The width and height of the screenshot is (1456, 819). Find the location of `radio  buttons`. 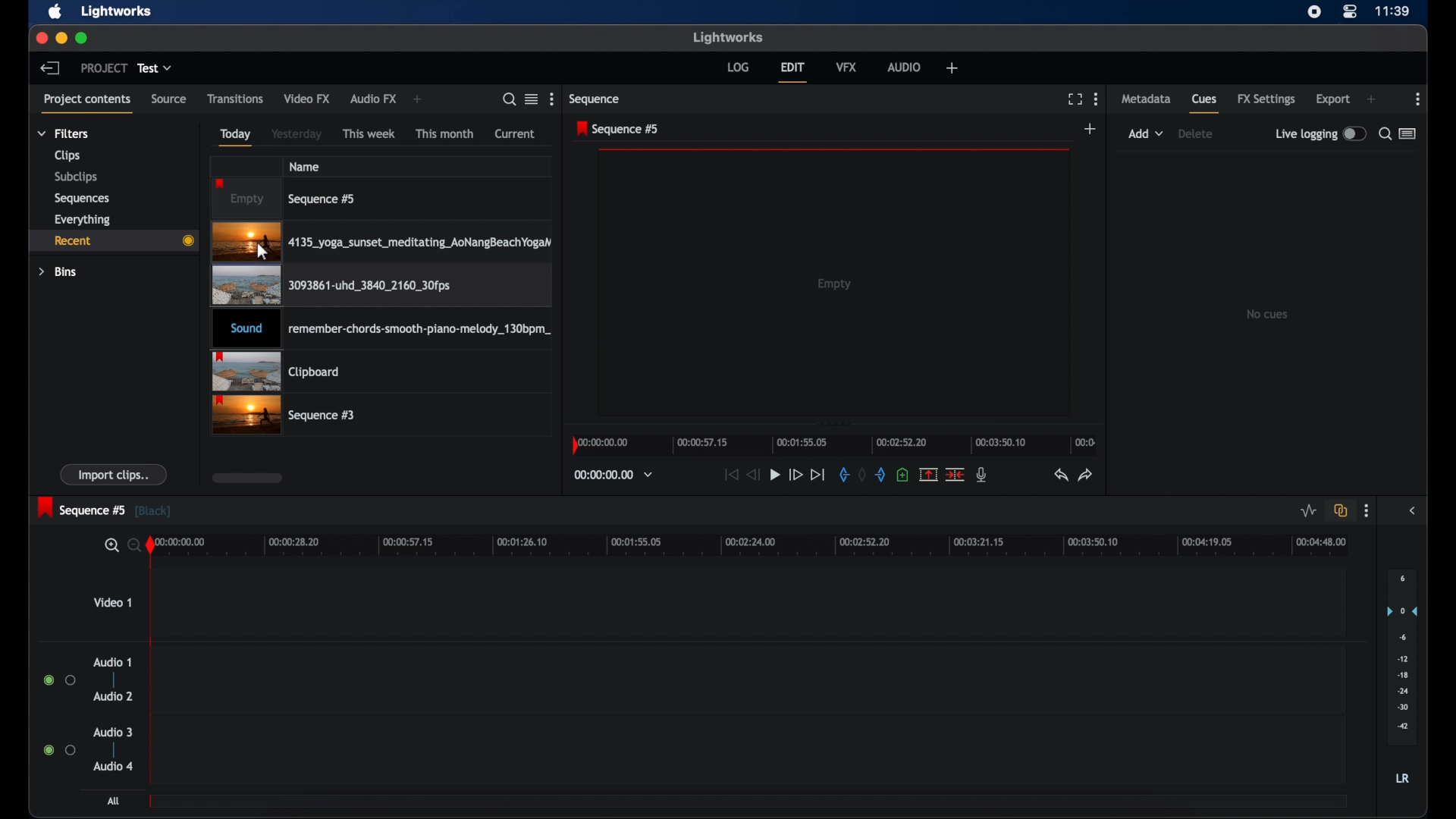

radio  buttons is located at coordinates (60, 750).